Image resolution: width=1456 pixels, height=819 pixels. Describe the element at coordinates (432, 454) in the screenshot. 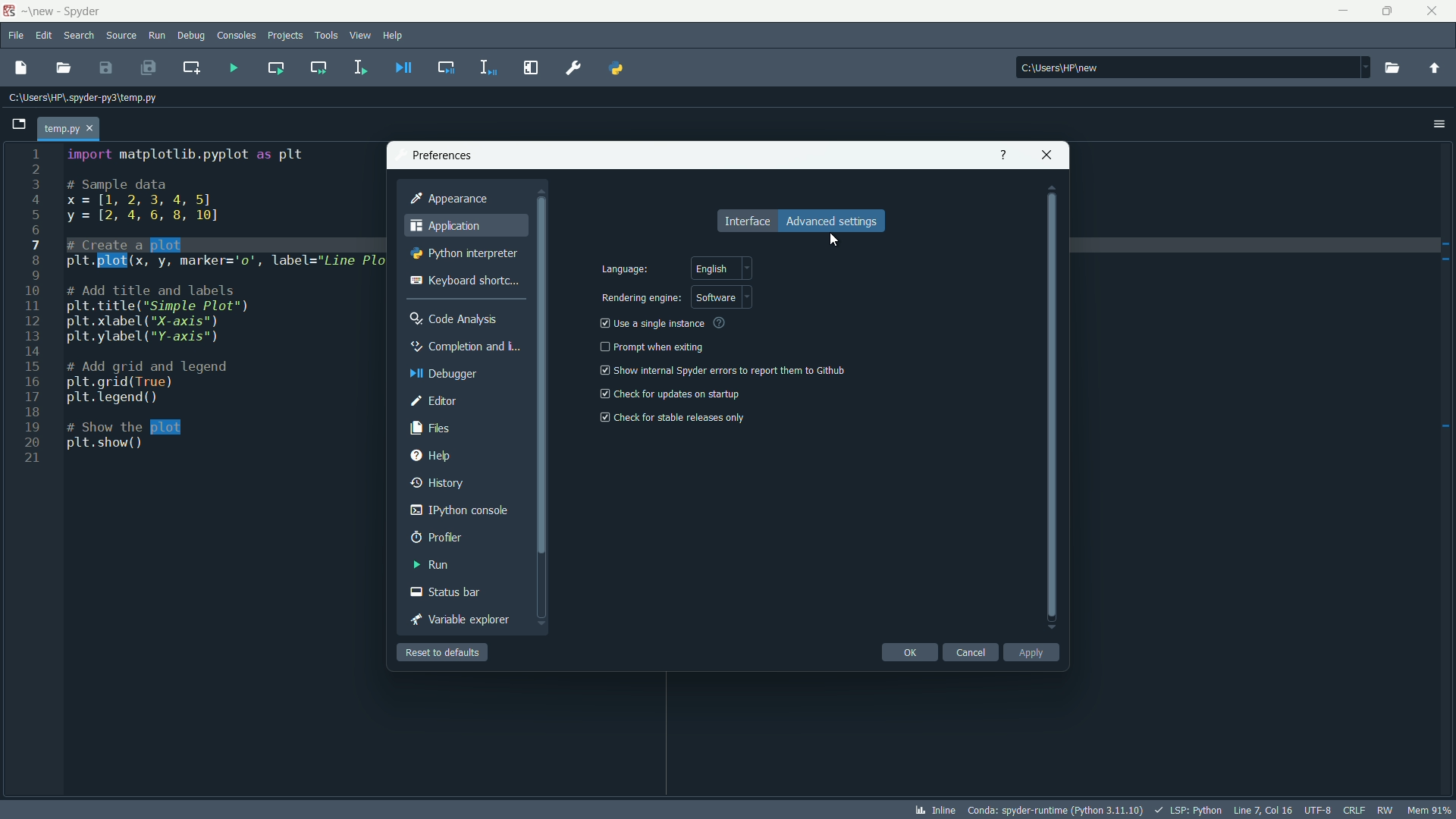

I see `help` at that location.